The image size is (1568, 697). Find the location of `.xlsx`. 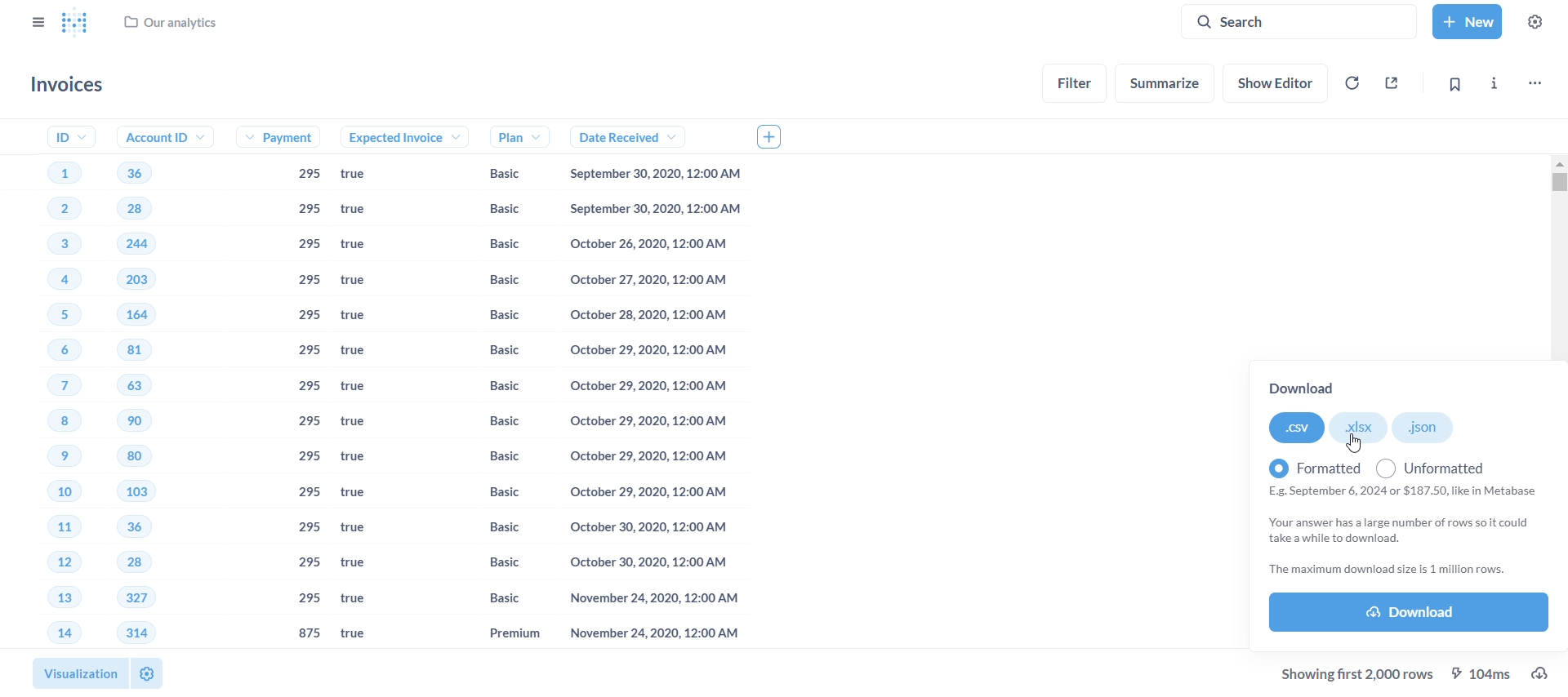

.xlsx is located at coordinates (1362, 427).